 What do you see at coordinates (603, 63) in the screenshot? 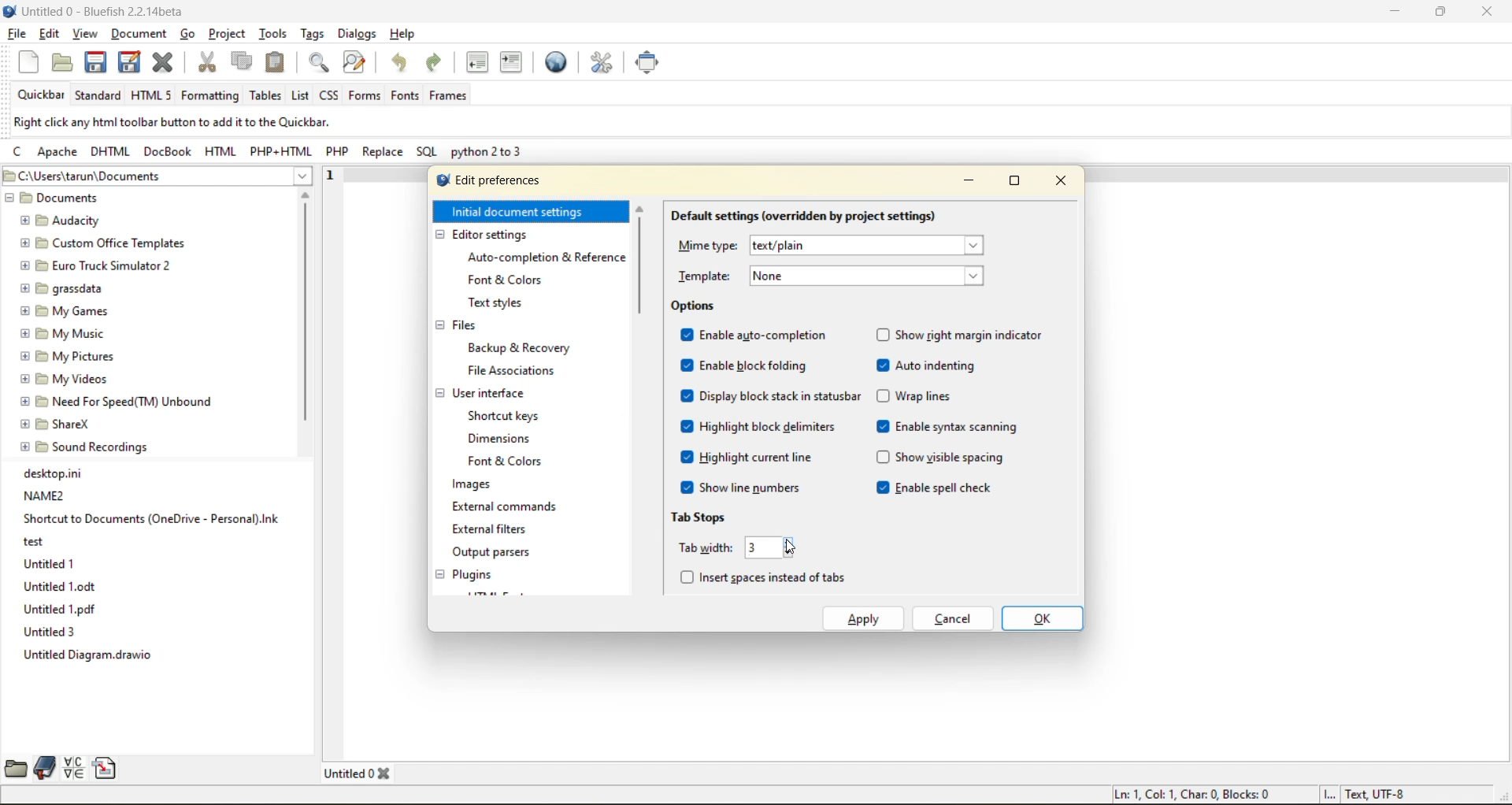
I see `edit preferences` at bounding box center [603, 63].